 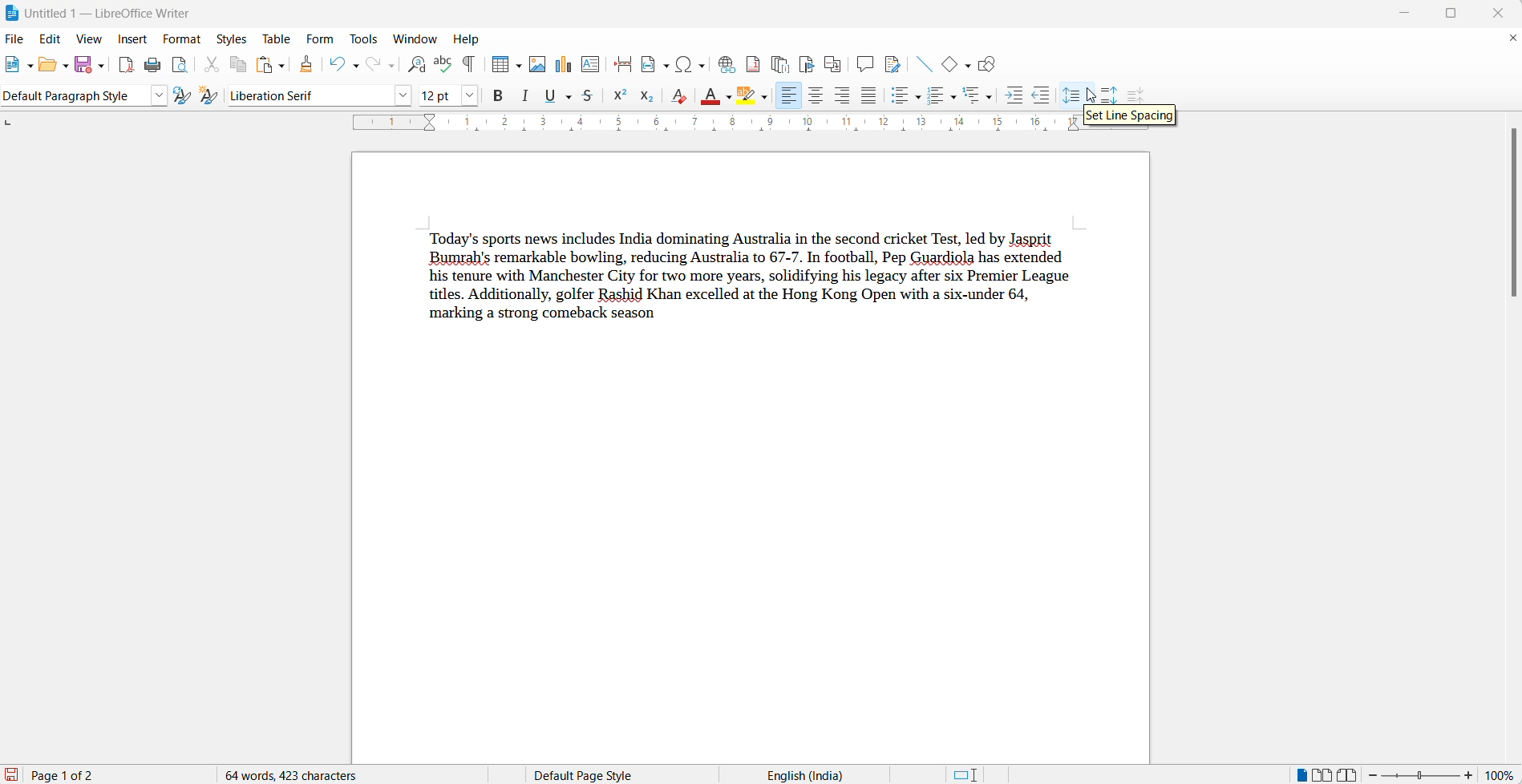 I want to click on toggle ordered list, so click(x=953, y=98).